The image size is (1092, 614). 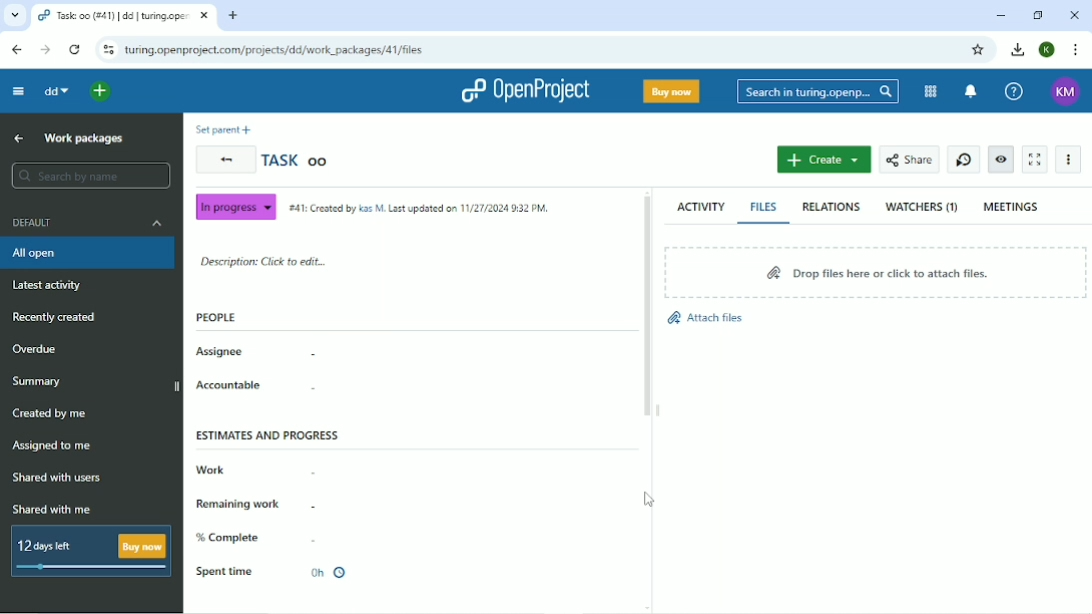 What do you see at coordinates (981, 50) in the screenshot?
I see `Bookmark this tab` at bounding box center [981, 50].